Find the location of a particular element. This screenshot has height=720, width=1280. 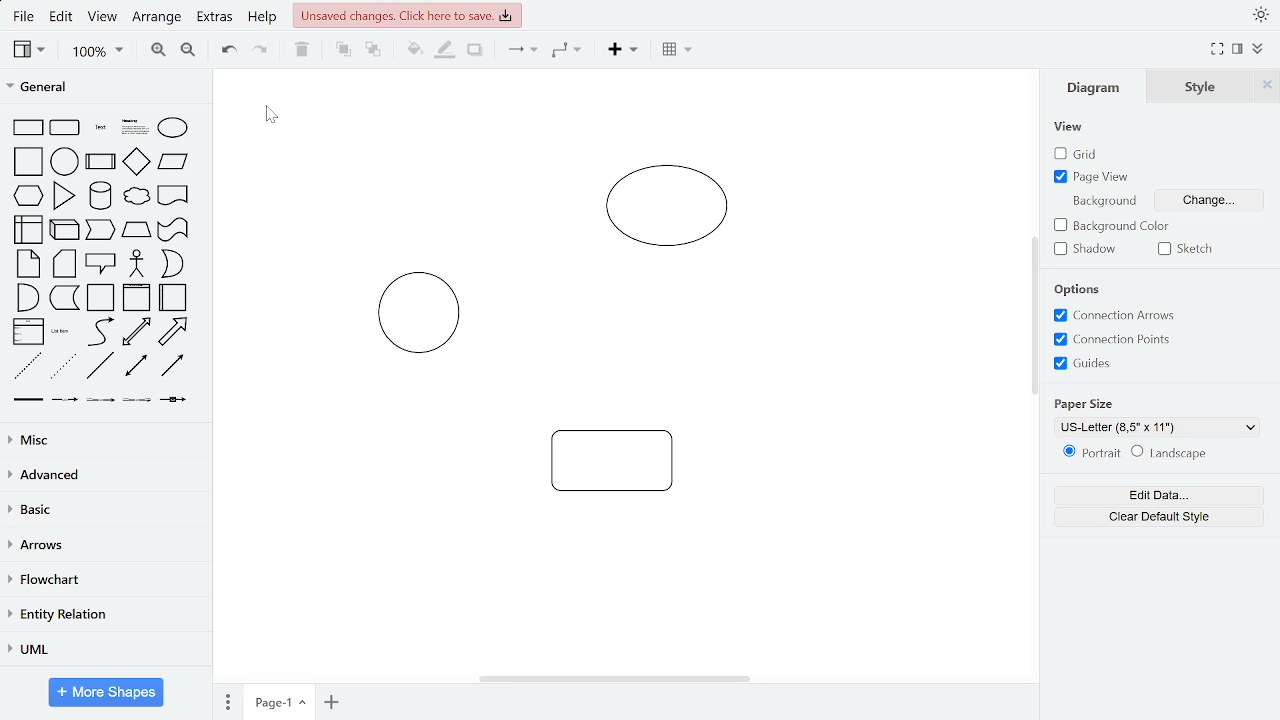

rounded rectangle is located at coordinates (66, 127).